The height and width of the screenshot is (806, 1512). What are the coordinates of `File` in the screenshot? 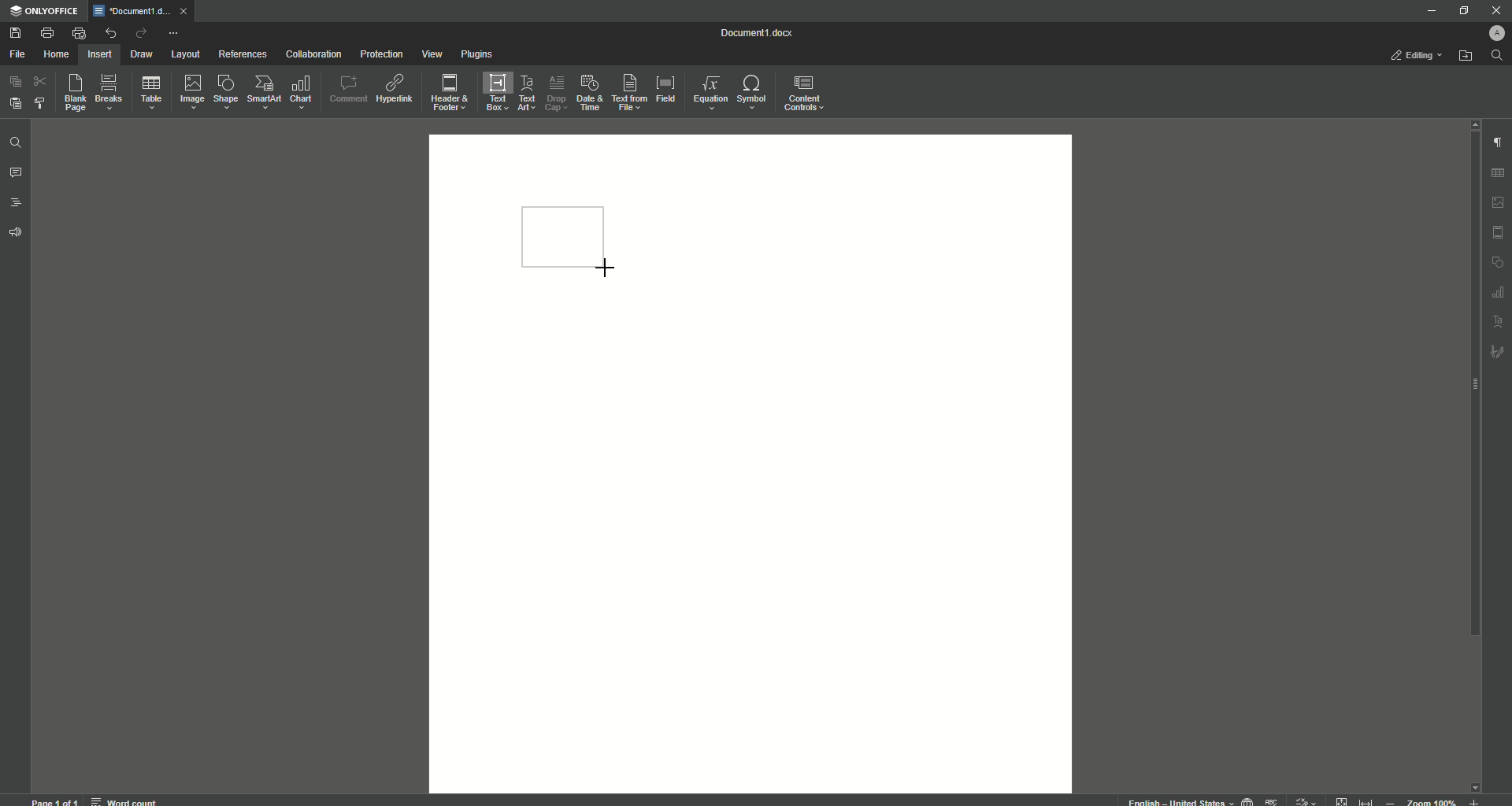 It's located at (17, 55).